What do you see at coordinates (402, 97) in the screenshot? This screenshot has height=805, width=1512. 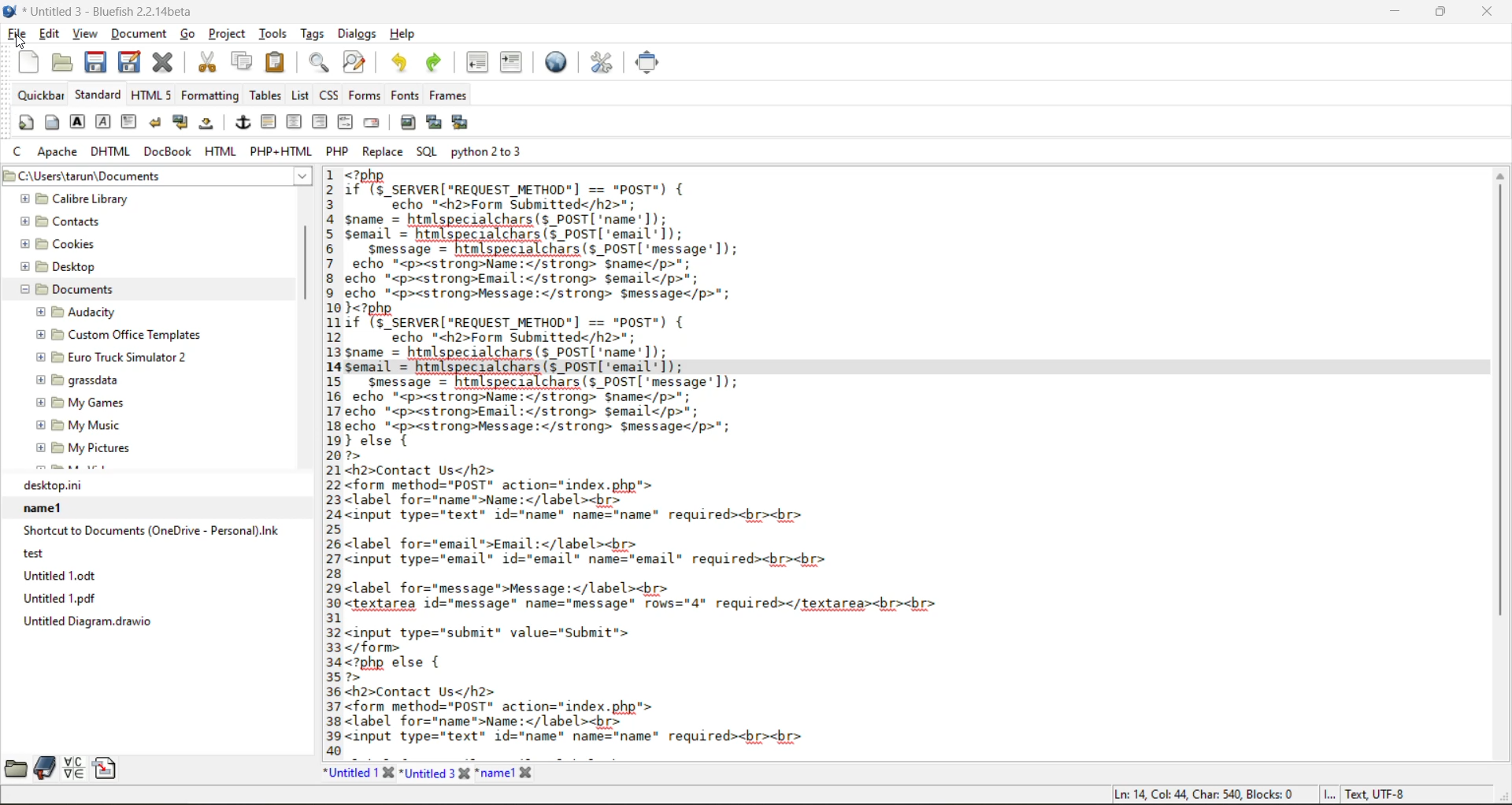 I see `fonts` at bounding box center [402, 97].